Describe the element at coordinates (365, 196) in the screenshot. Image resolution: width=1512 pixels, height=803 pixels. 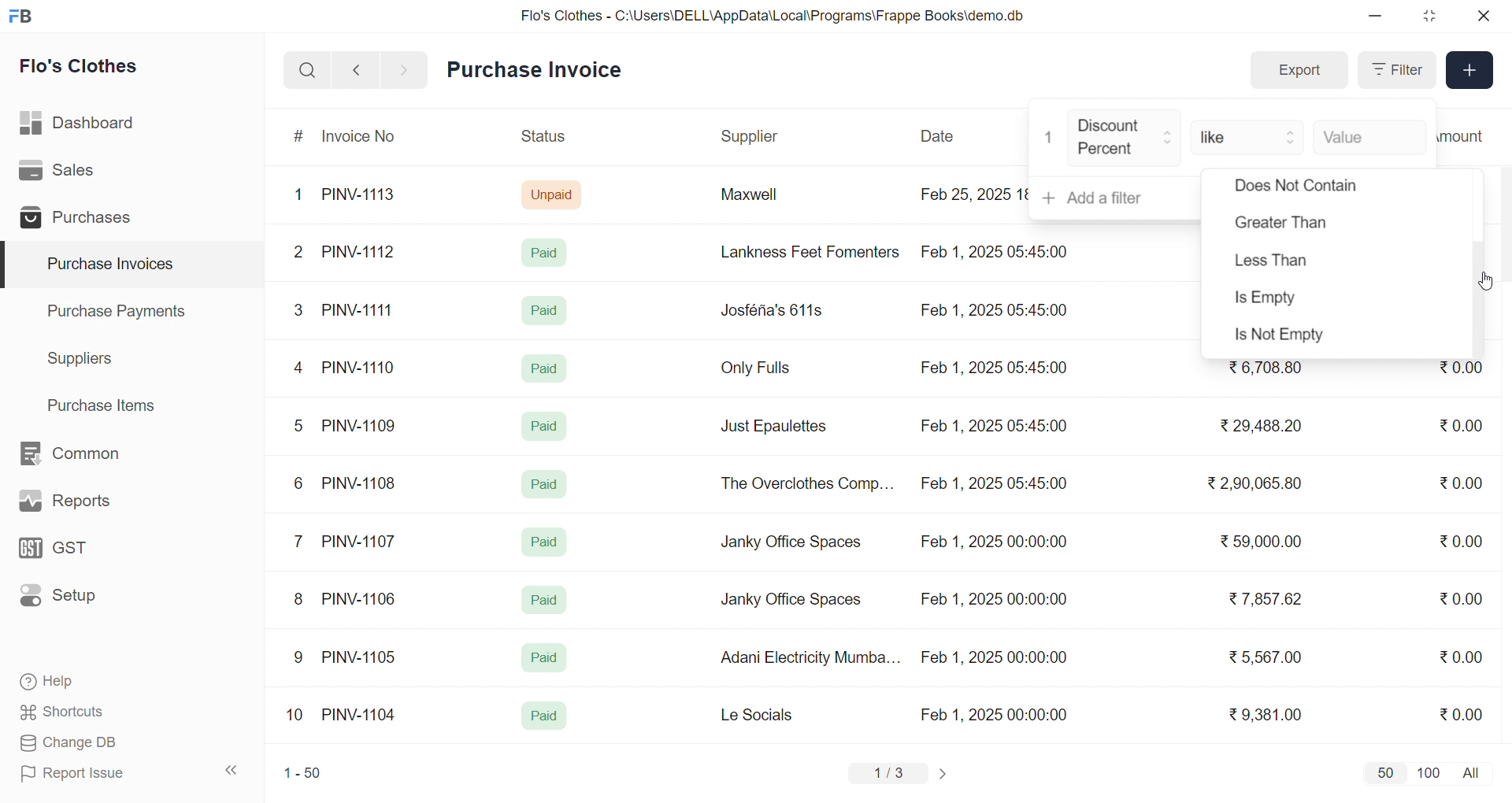
I see `PINV-1113` at that location.